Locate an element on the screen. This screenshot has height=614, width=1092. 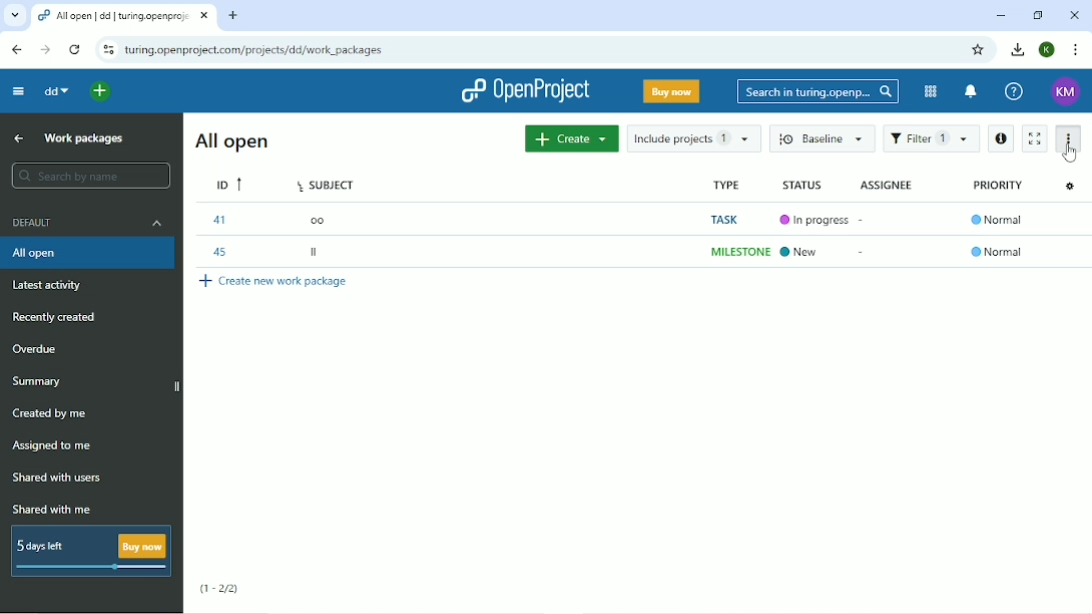
Minimize is located at coordinates (1001, 16).